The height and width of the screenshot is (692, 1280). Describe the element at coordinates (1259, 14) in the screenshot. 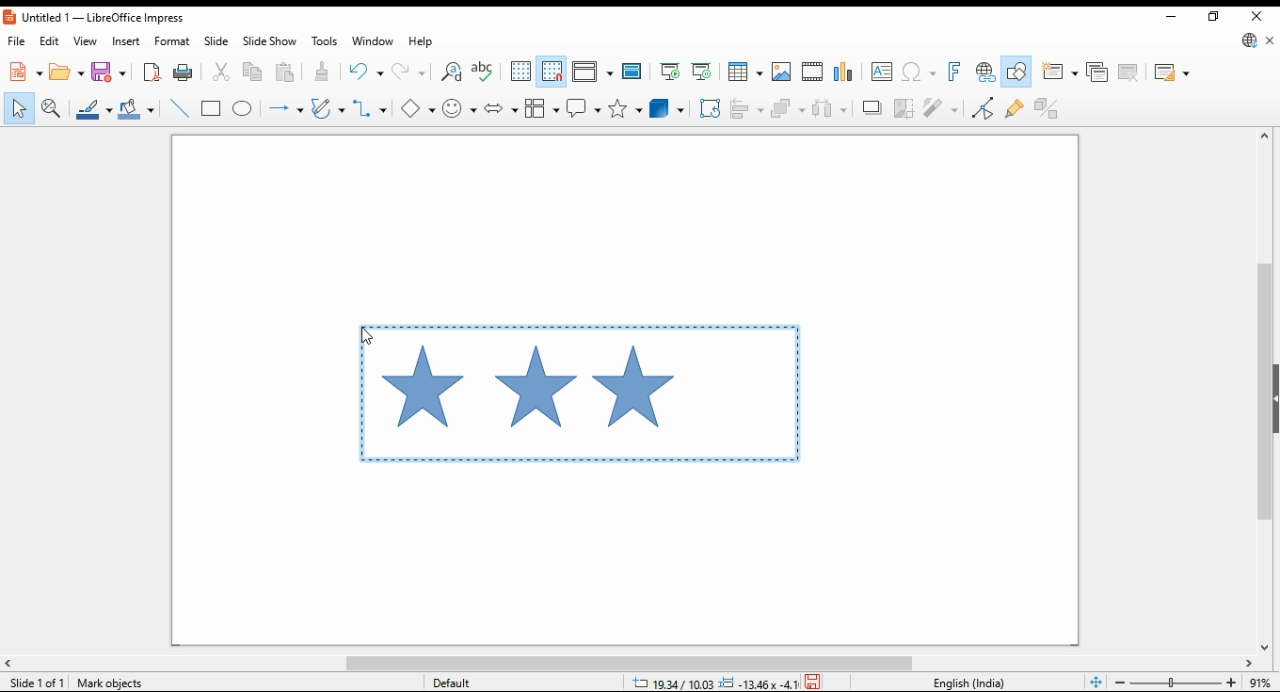

I see `close window` at that location.